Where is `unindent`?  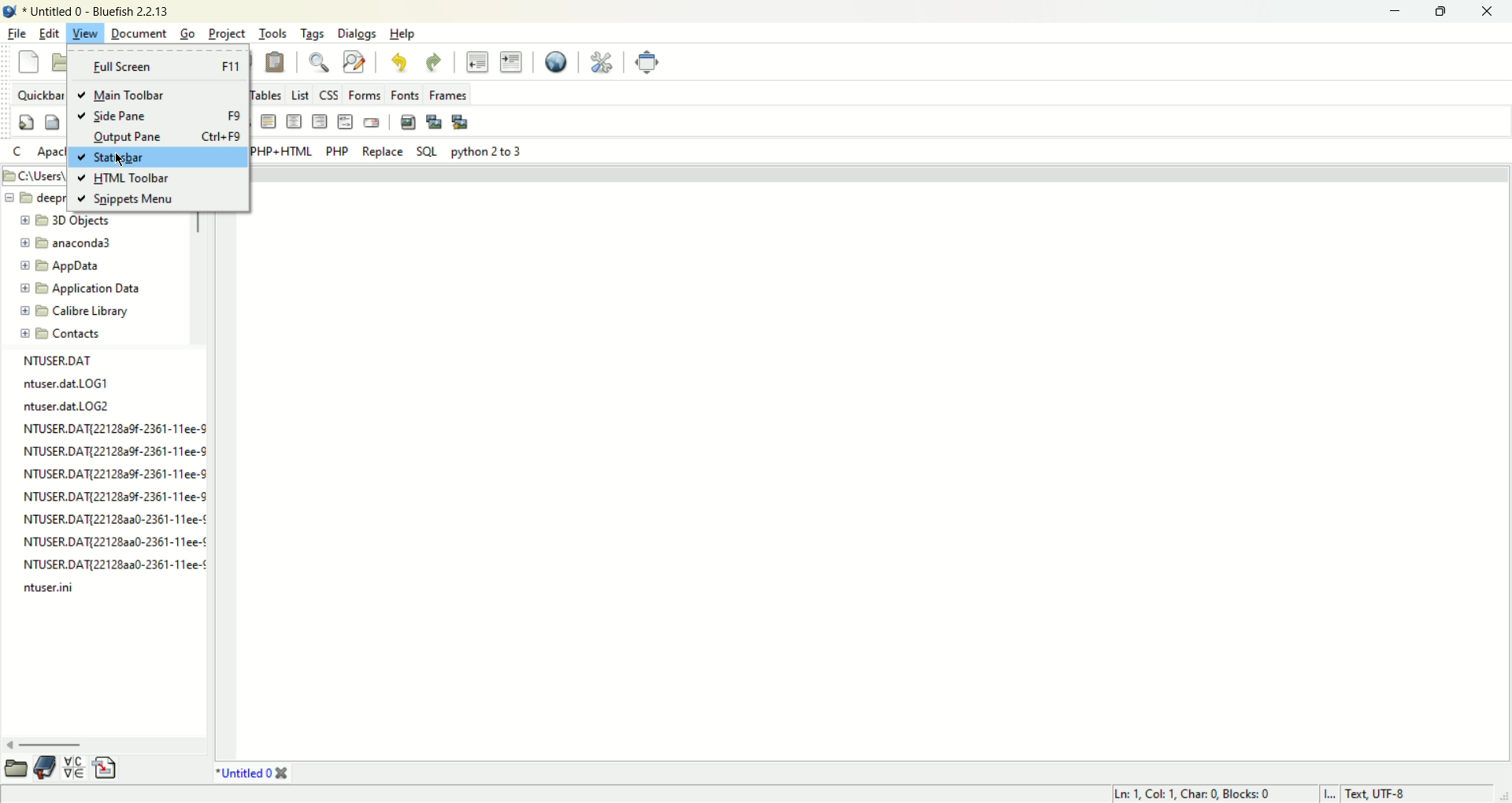 unindent is located at coordinates (477, 62).